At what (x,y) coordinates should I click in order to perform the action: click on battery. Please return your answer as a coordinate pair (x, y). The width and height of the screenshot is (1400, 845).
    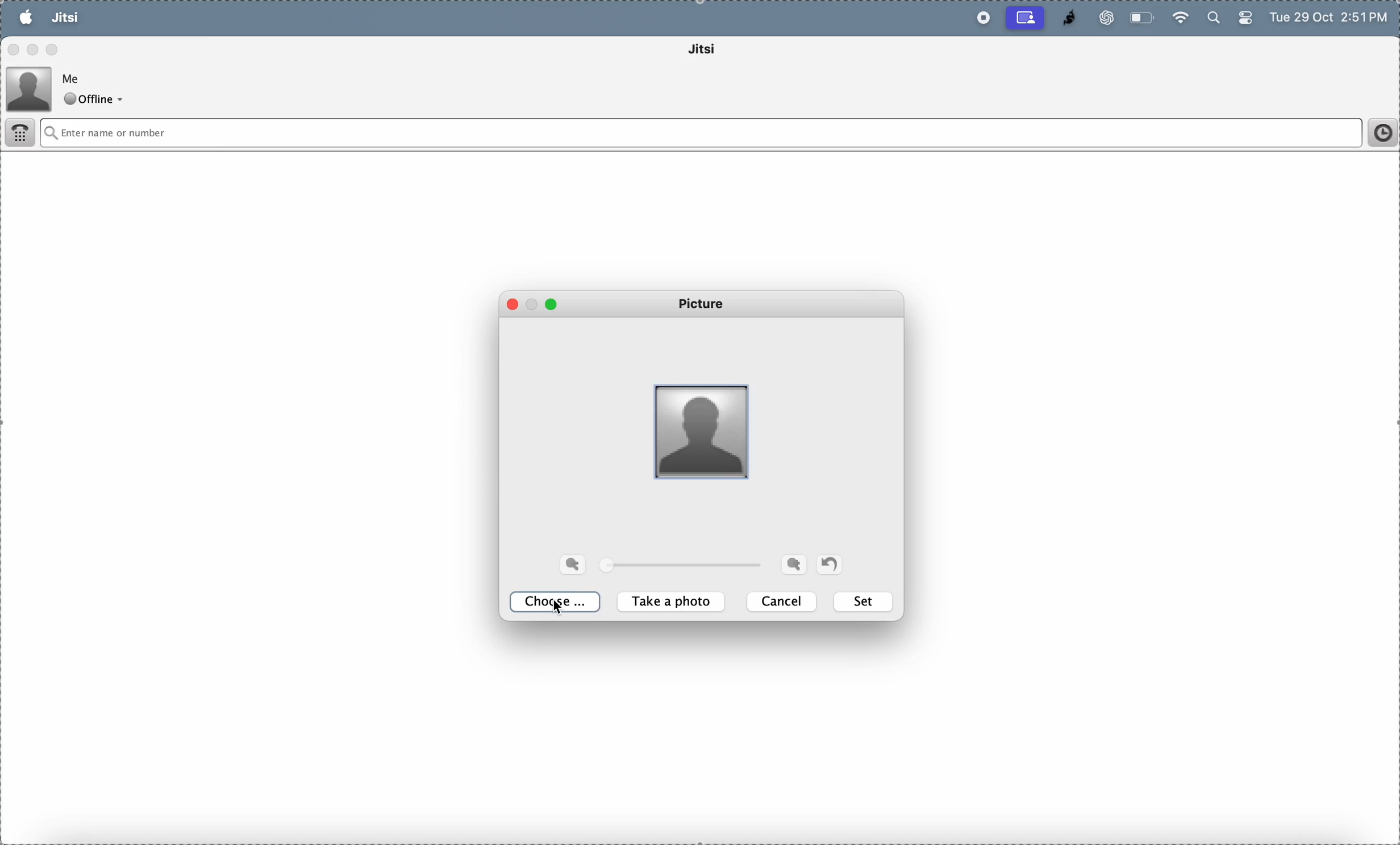
    Looking at the image, I should click on (1143, 18).